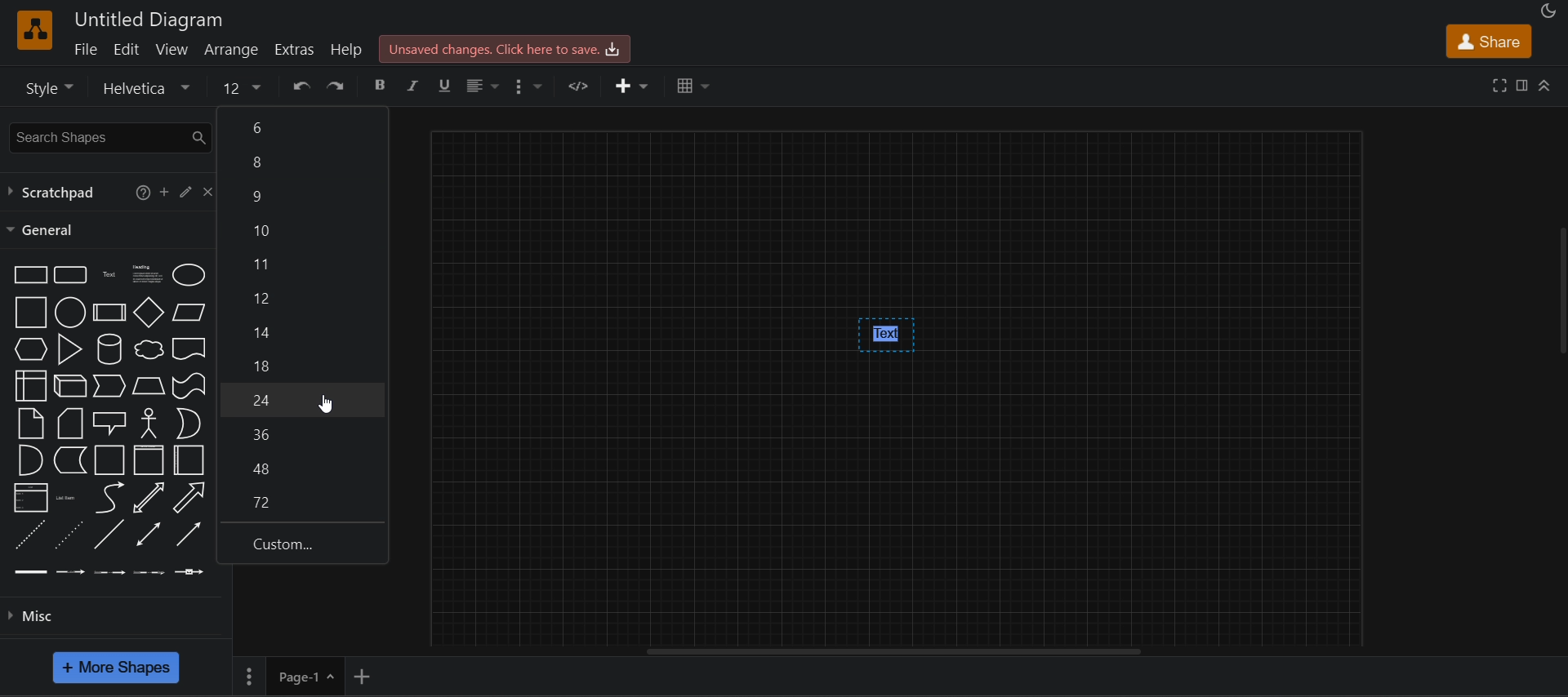  Describe the element at coordinates (887, 335) in the screenshot. I see `text` at that location.